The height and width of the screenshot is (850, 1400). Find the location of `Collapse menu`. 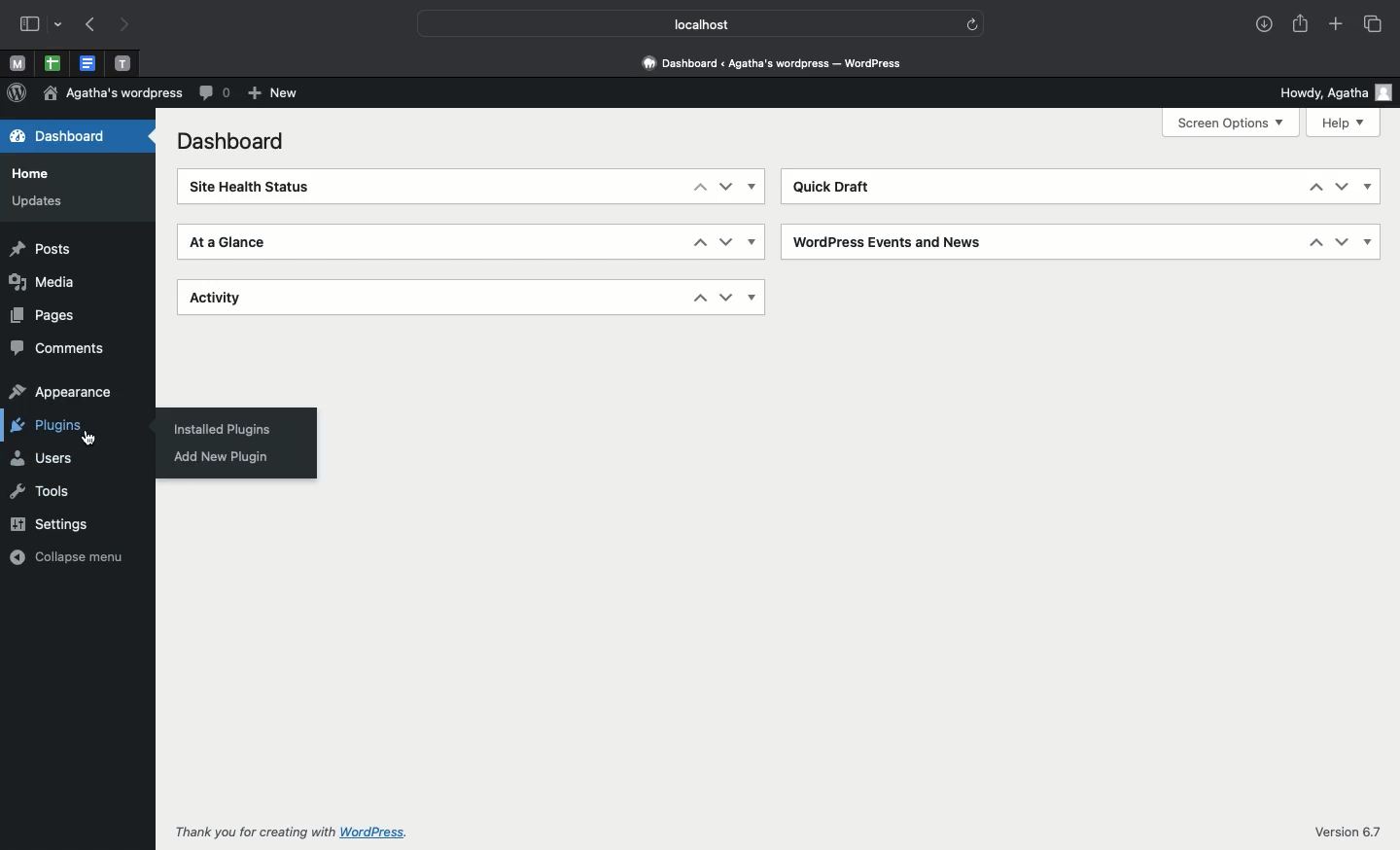

Collapse menu is located at coordinates (63, 560).